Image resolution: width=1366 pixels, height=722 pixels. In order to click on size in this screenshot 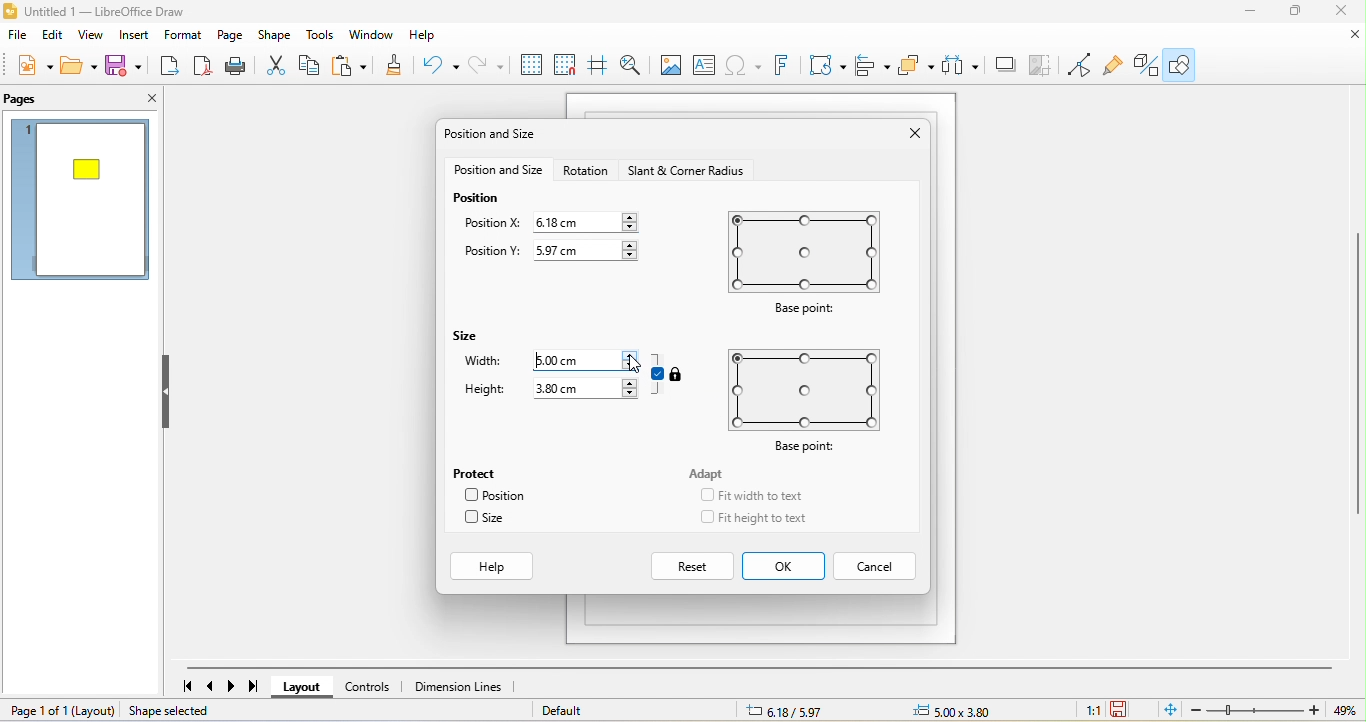, I will do `click(478, 340)`.